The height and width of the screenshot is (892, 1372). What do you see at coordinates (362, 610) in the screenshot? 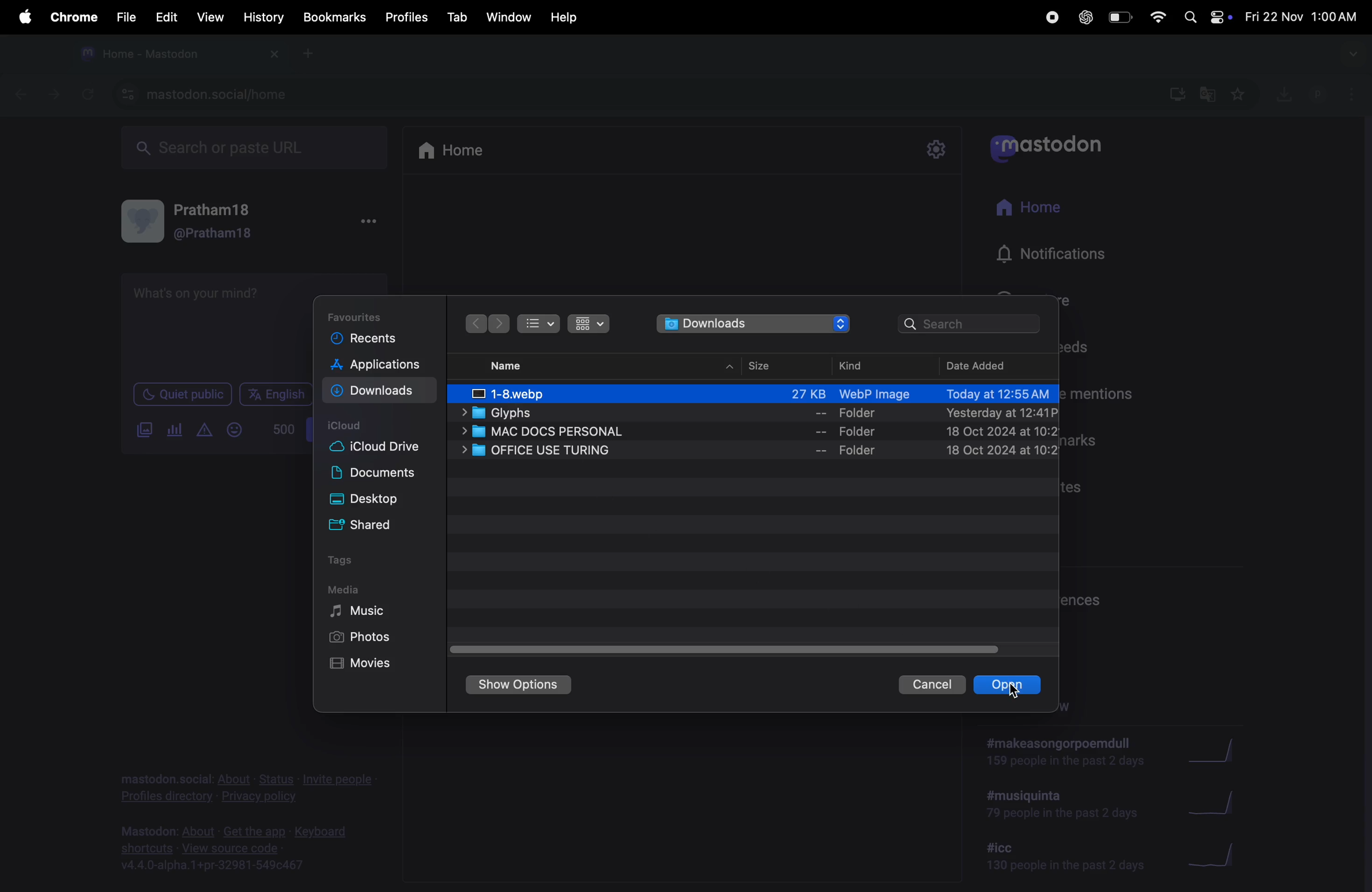
I see `music` at bounding box center [362, 610].